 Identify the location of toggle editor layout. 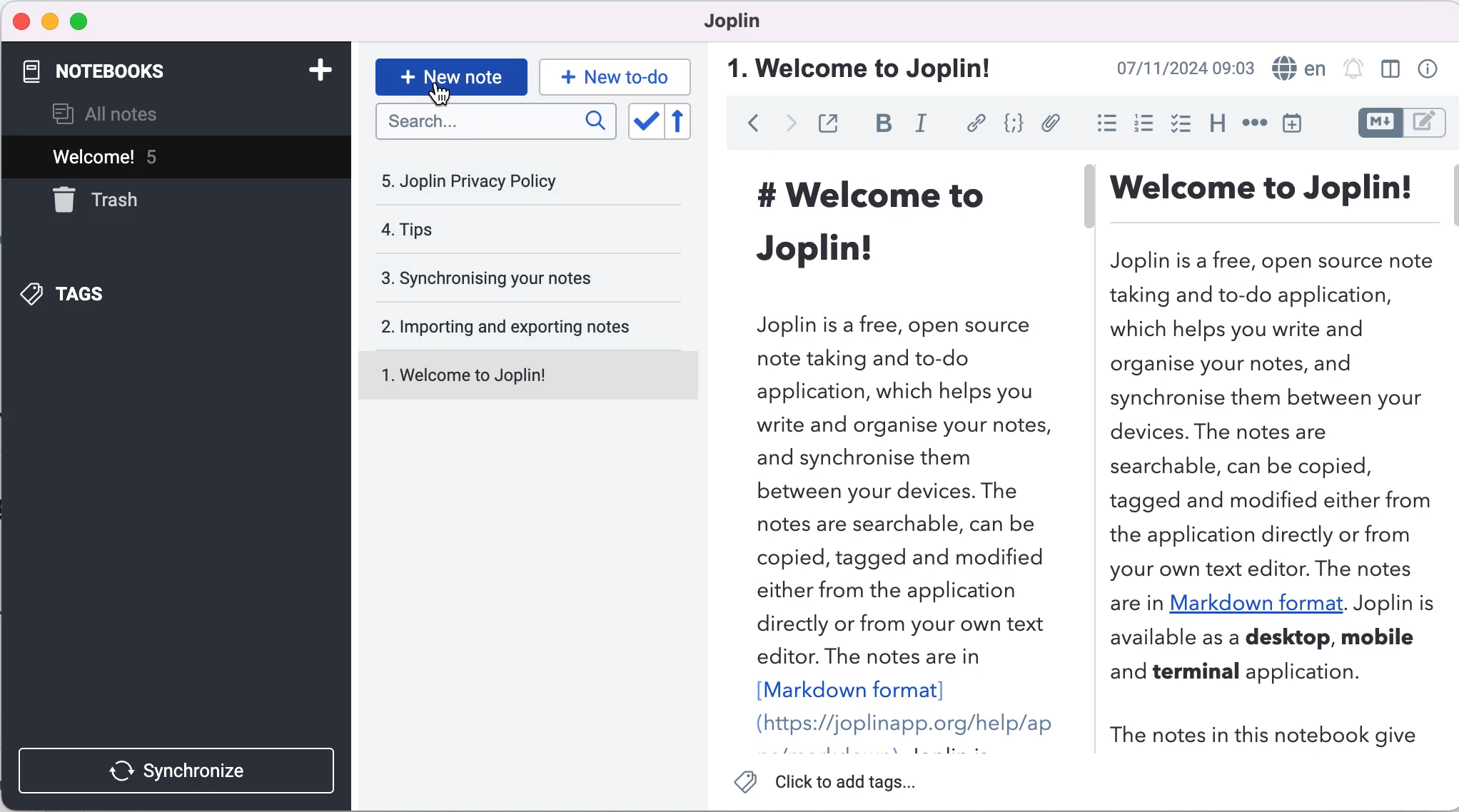
(1387, 70).